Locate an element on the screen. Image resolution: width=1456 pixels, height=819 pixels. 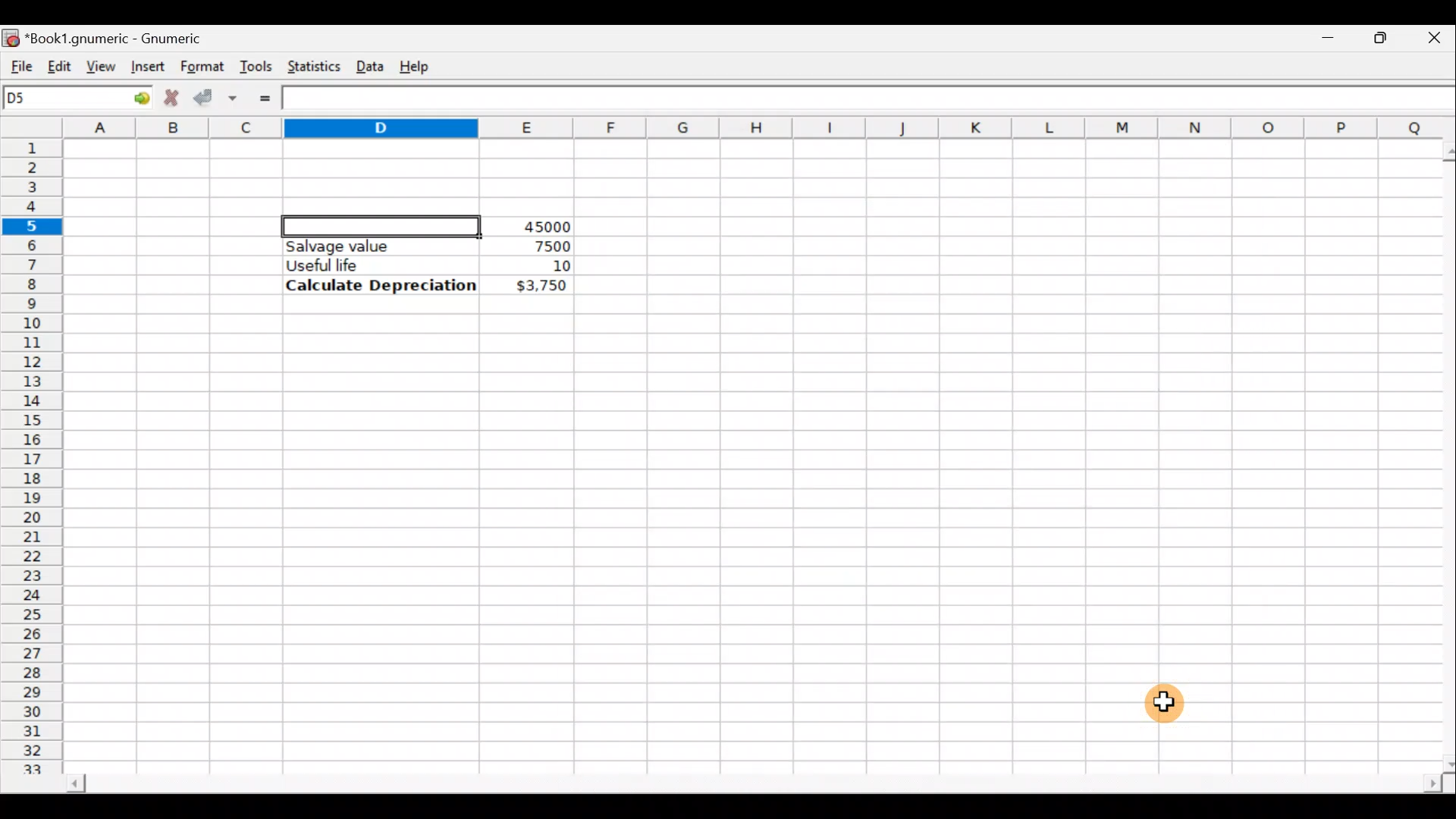
Statistics is located at coordinates (310, 65).